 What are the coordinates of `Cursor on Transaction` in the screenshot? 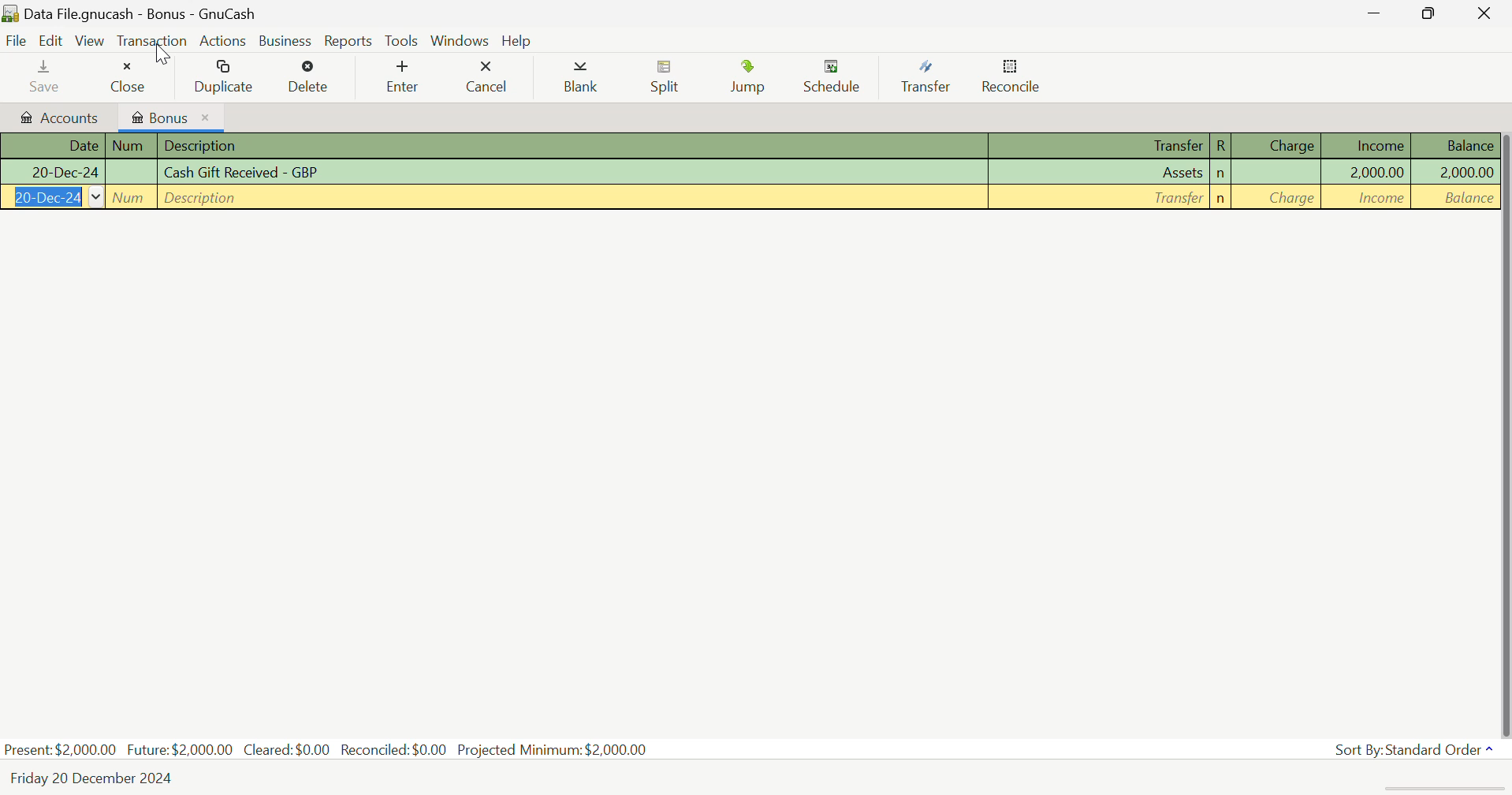 It's located at (161, 50).